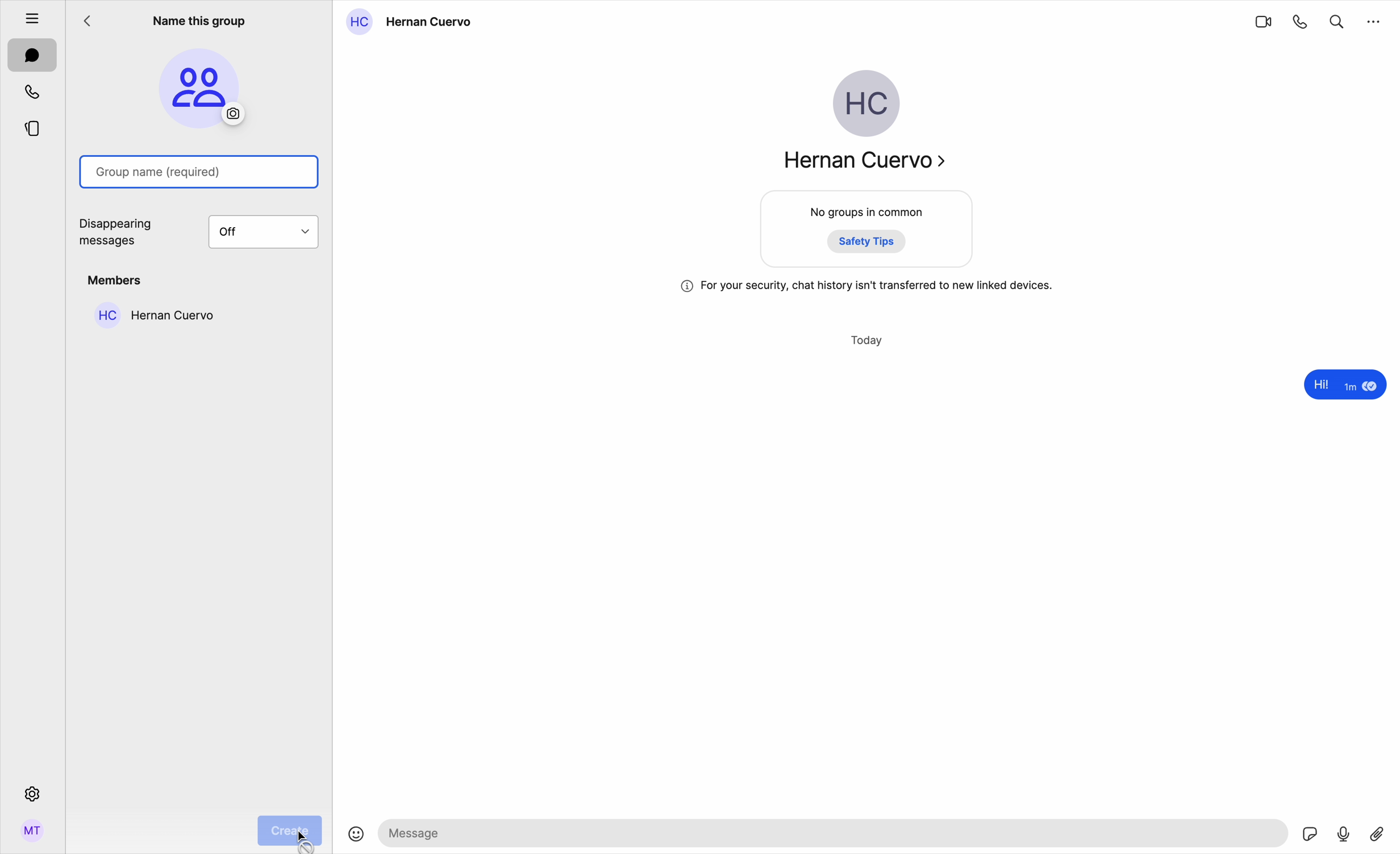 Image resolution: width=1400 pixels, height=854 pixels. I want to click on calls, so click(34, 91).